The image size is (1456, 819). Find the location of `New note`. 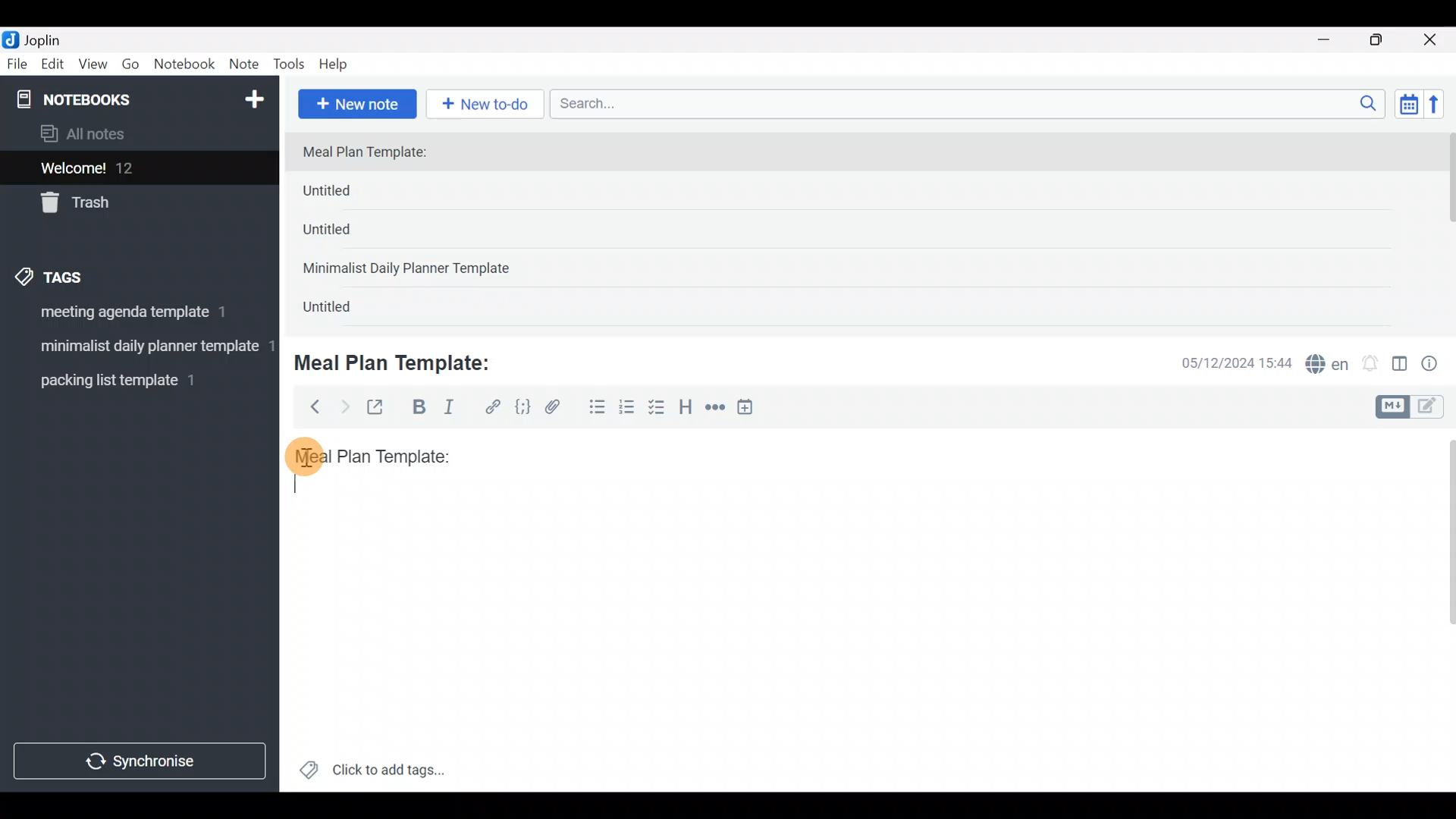

New note is located at coordinates (356, 102).